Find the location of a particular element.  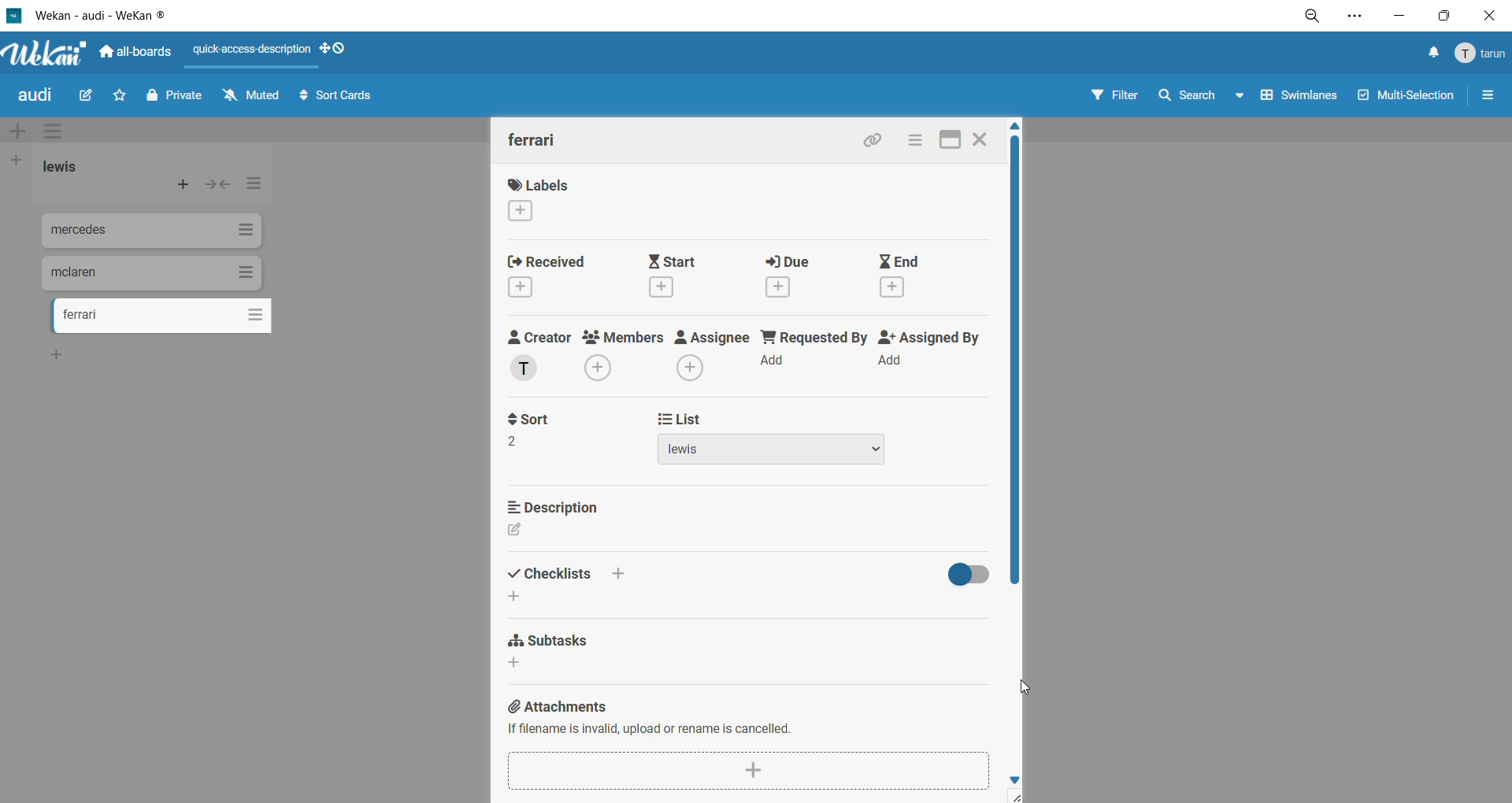

sidebar is located at coordinates (1489, 98).